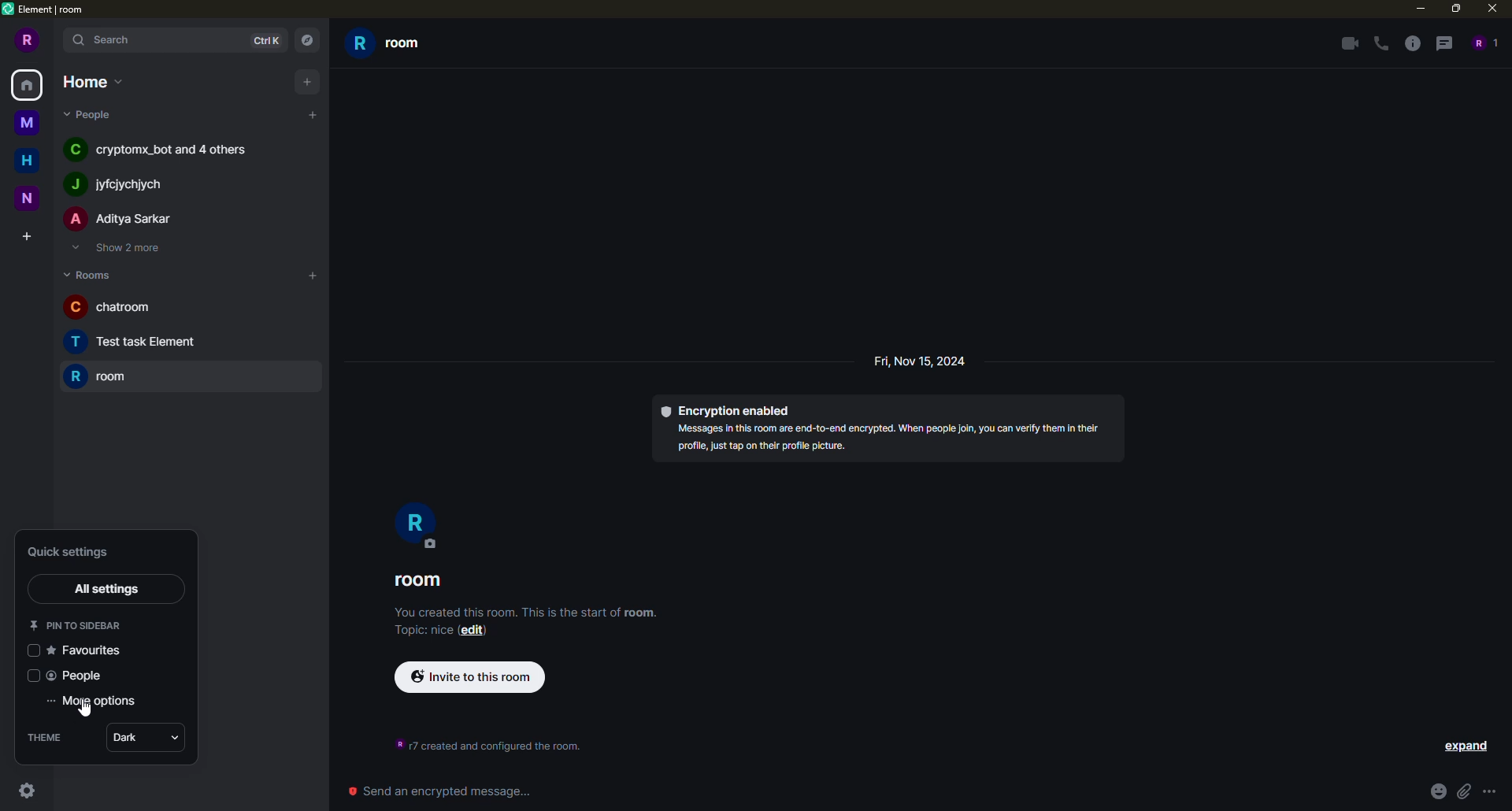  What do you see at coordinates (1468, 746) in the screenshot?
I see `expand` at bounding box center [1468, 746].